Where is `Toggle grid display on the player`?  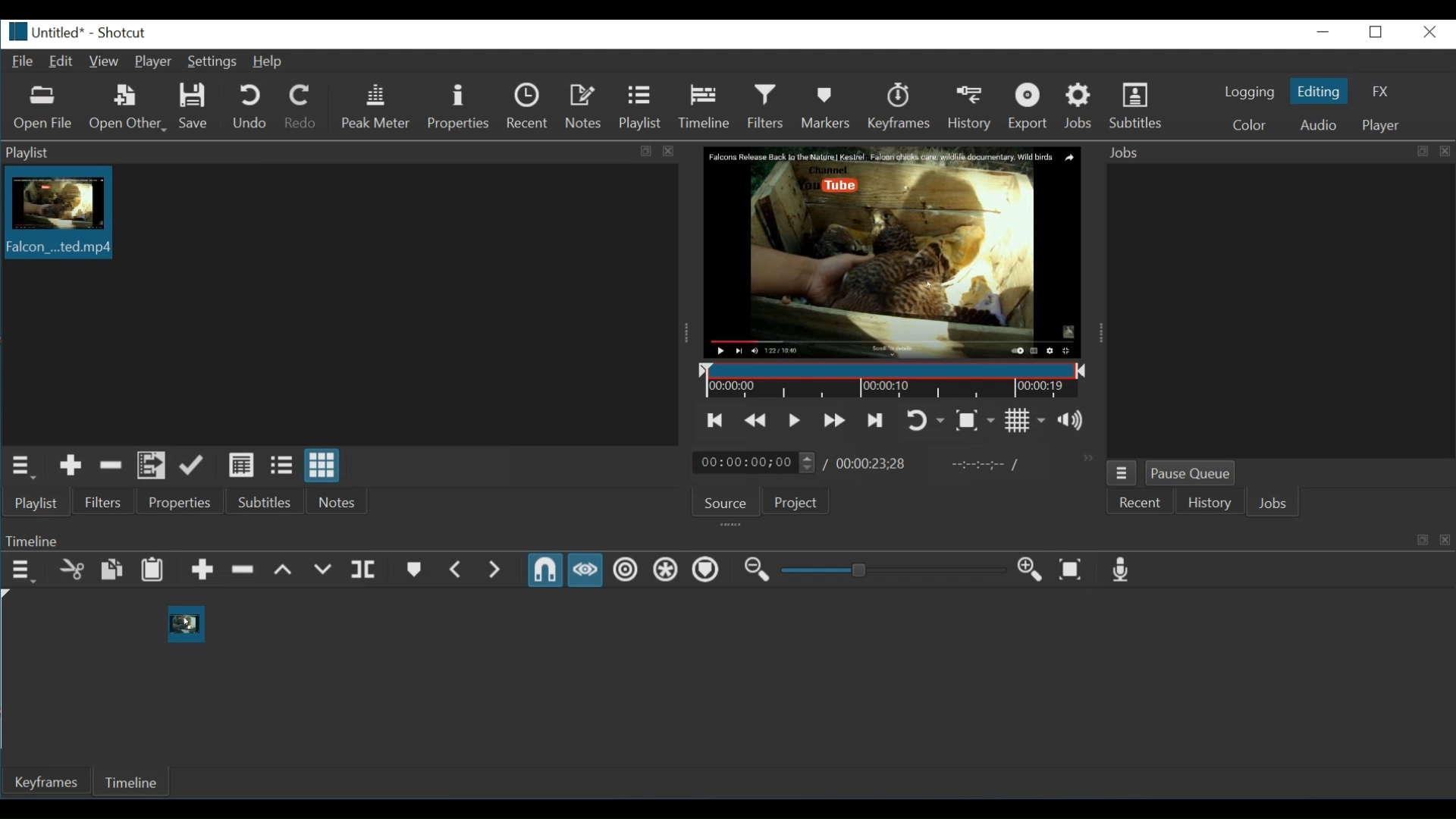 Toggle grid display on the player is located at coordinates (1025, 421).